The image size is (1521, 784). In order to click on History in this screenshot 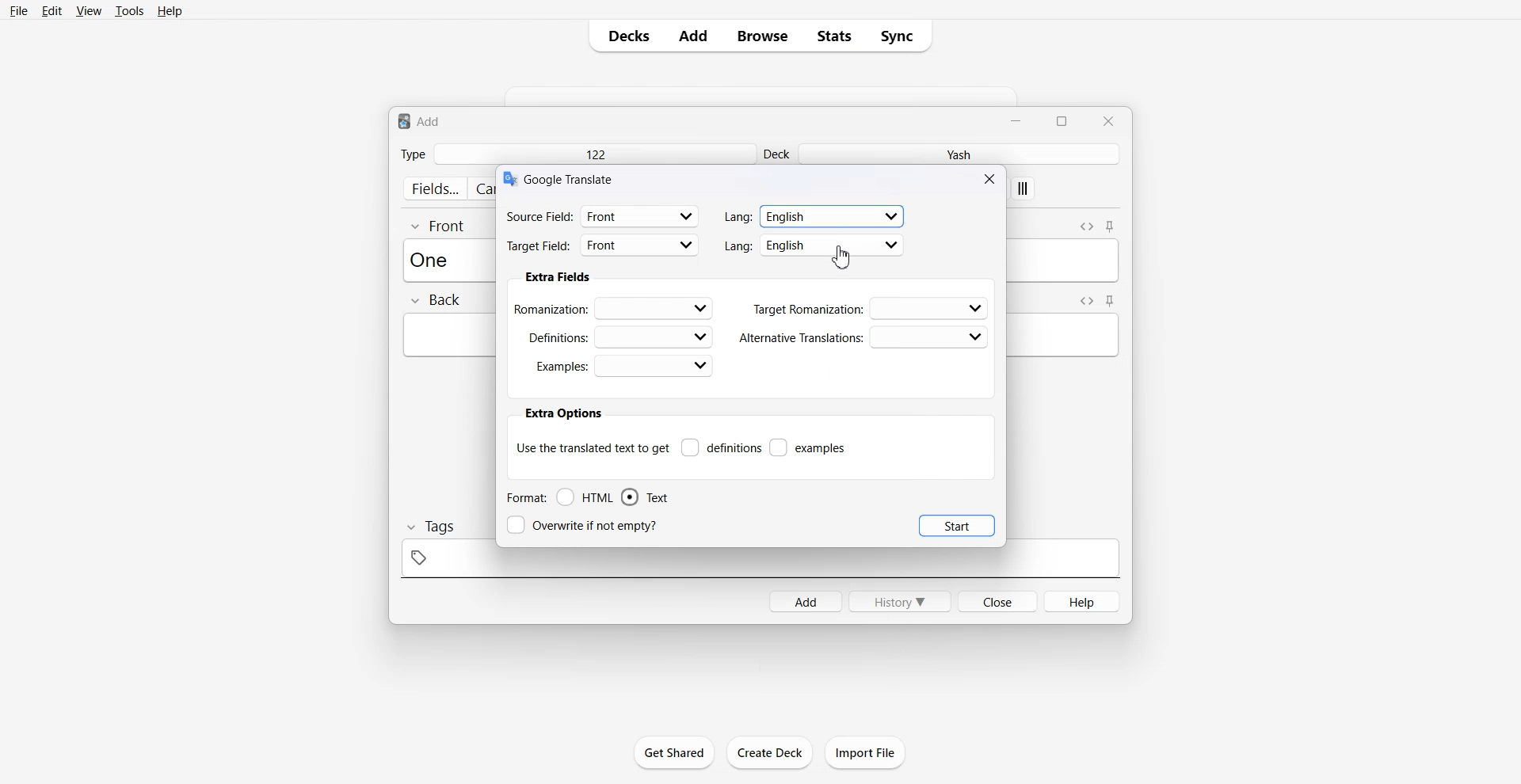, I will do `click(900, 601)`.